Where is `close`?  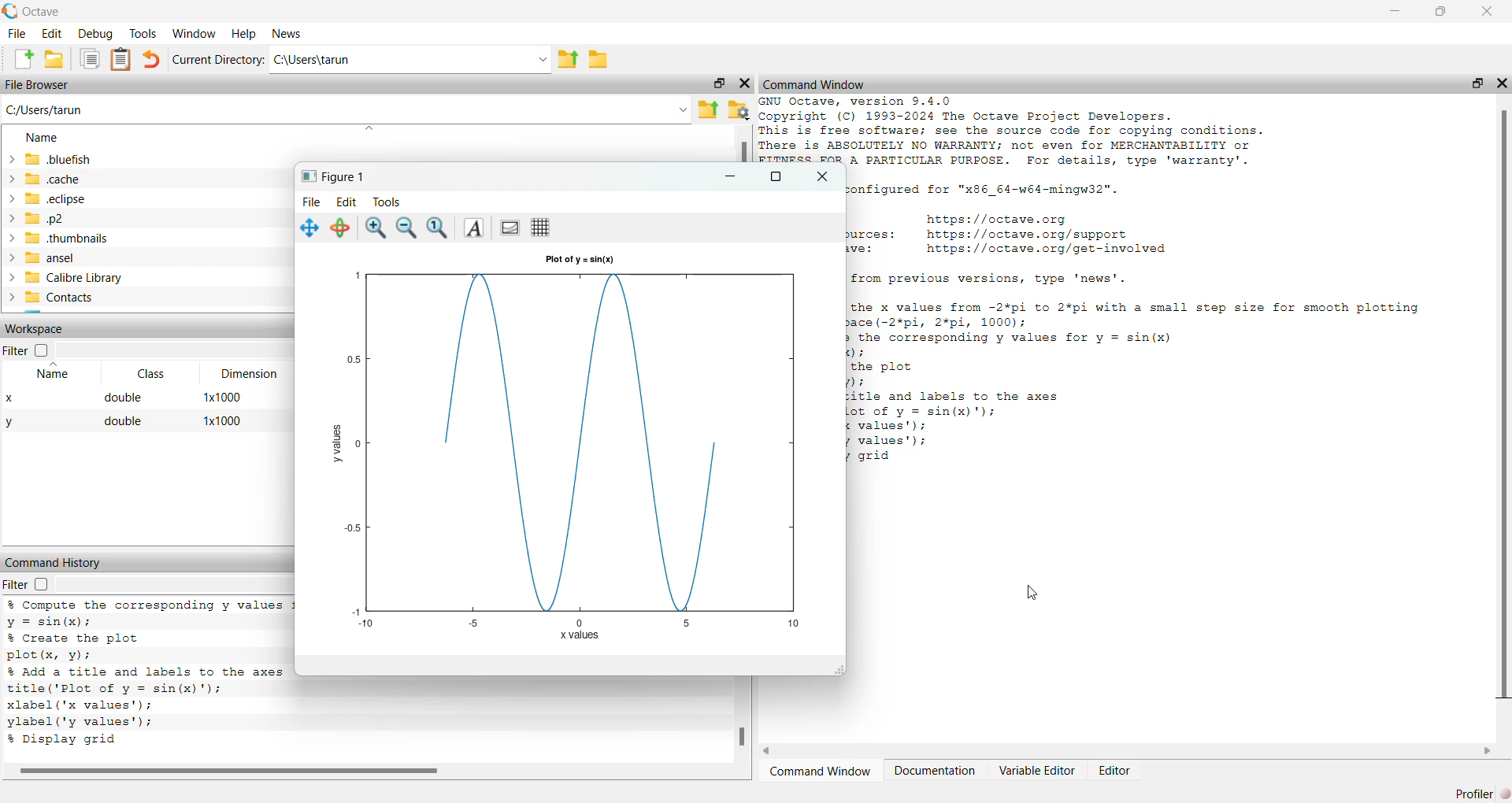
close is located at coordinates (1488, 12).